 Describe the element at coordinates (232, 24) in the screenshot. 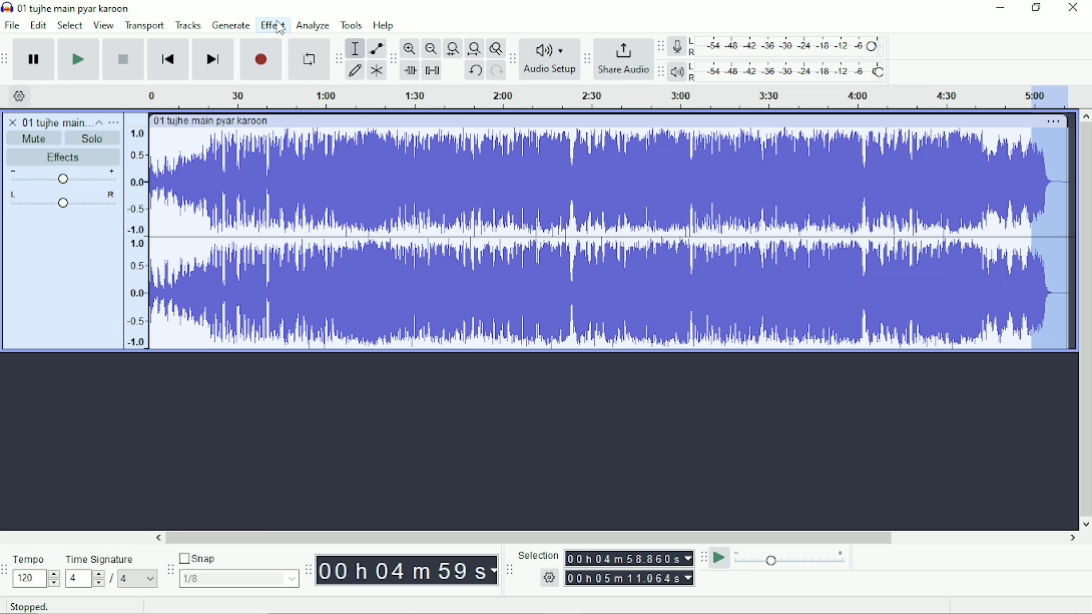

I see `Generate` at that location.